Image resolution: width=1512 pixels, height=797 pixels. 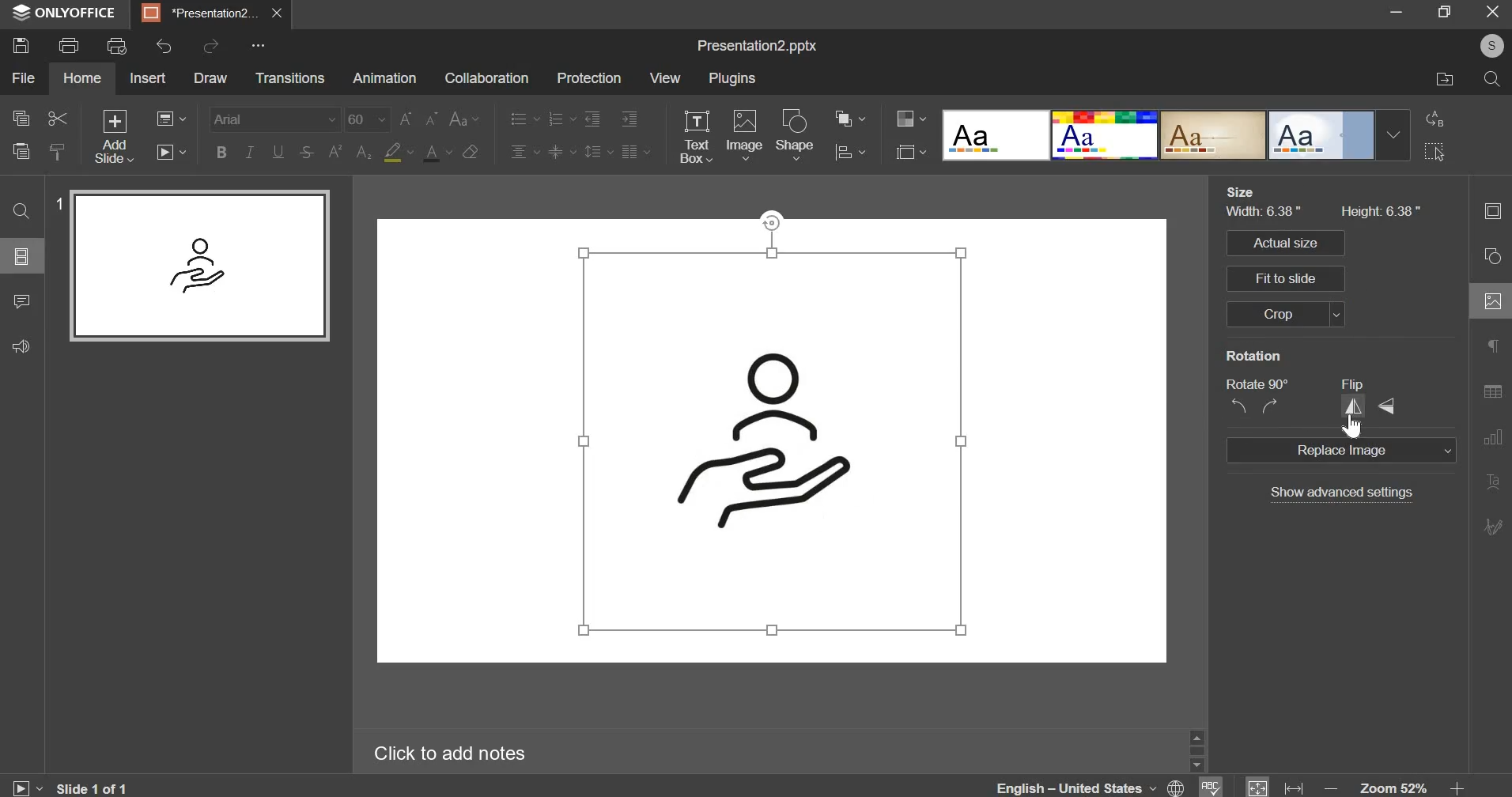 What do you see at coordinates (1354, 427) in the screenshot?
I see `cursor` at bounding box center [1354, 427].